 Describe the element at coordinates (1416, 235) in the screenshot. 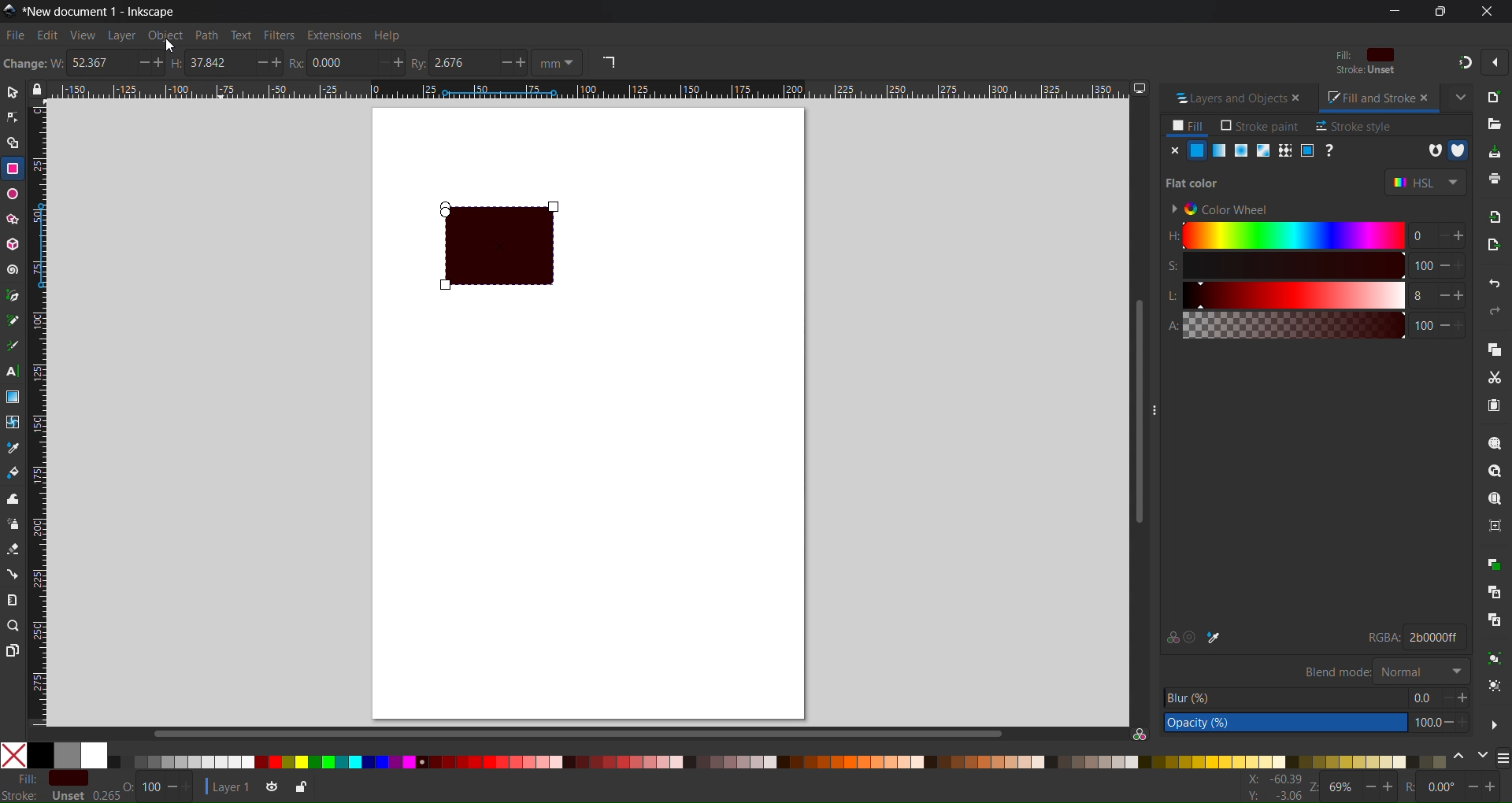

I see `0` at that location.